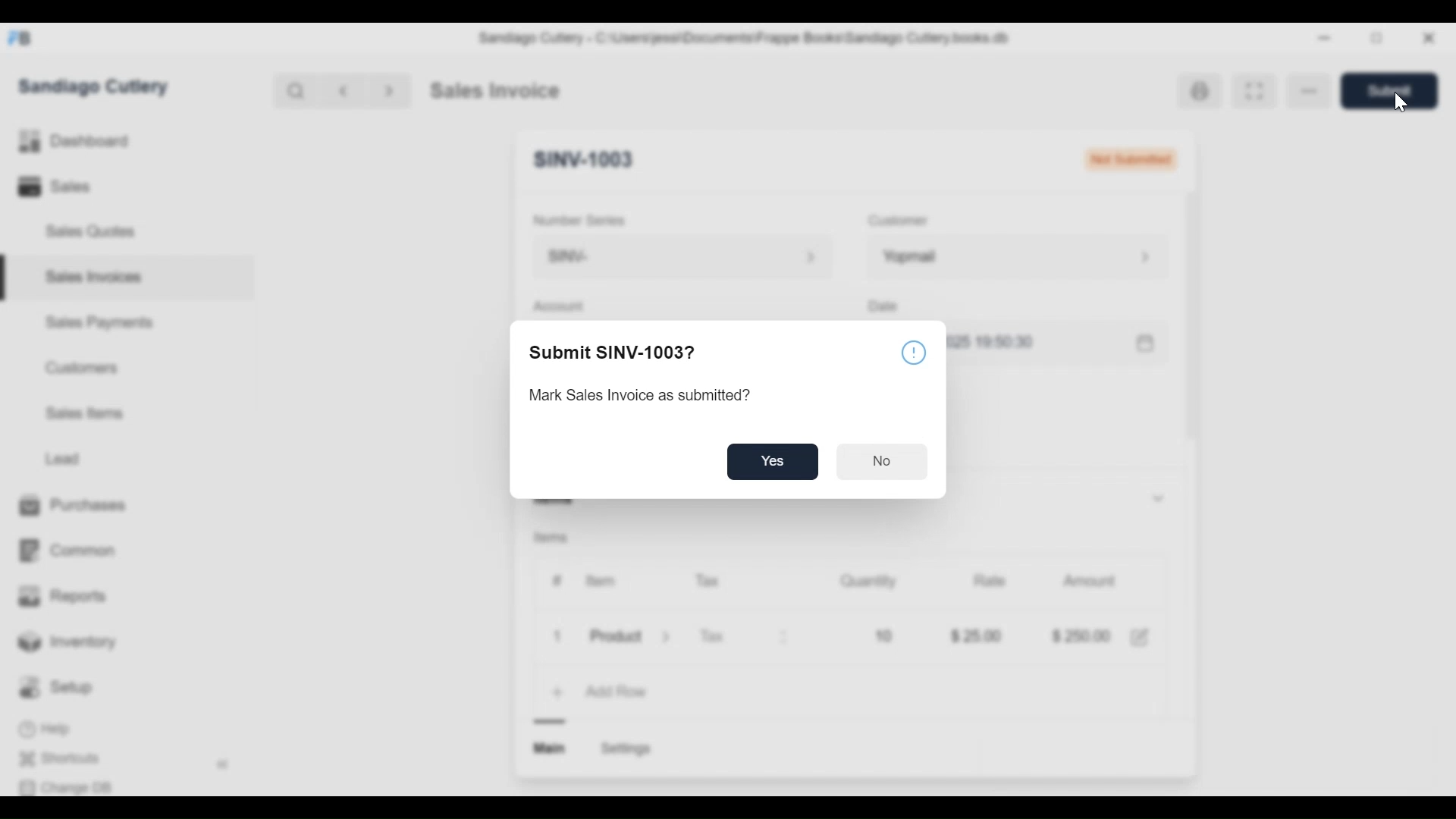 This screenshot has height=819, width=1456. Describe the element at coordinates (1402, 103) in the screenshot. I see `cursor` at that location.